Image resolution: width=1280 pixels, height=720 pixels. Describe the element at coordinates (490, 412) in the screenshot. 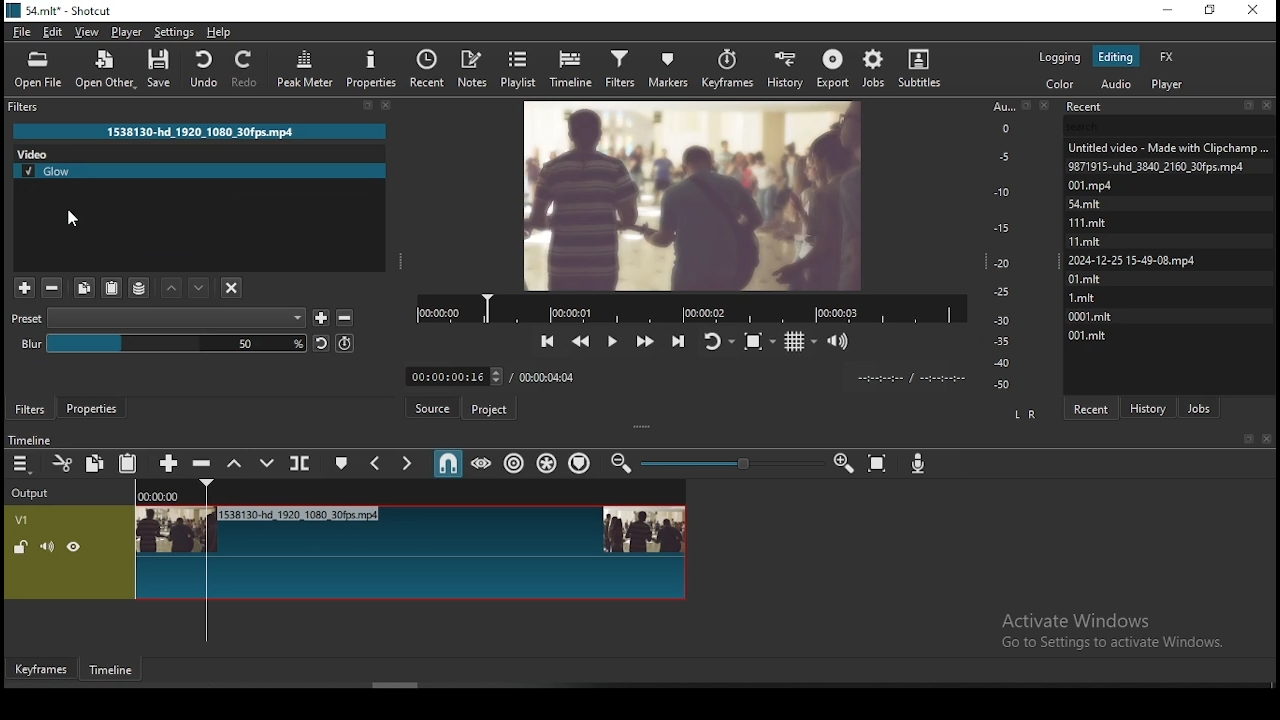

I see `project` at that location.